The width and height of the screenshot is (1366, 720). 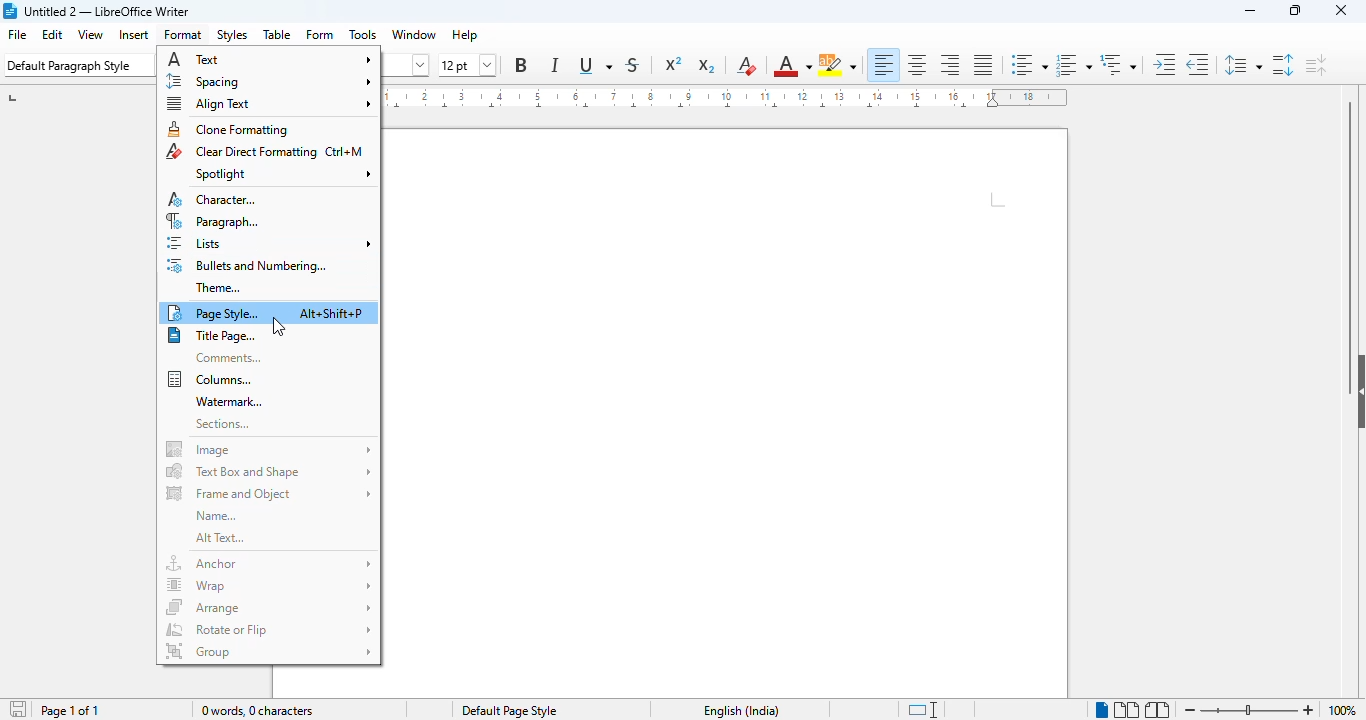 I want to click on default page style, so click(x=509, y=711).